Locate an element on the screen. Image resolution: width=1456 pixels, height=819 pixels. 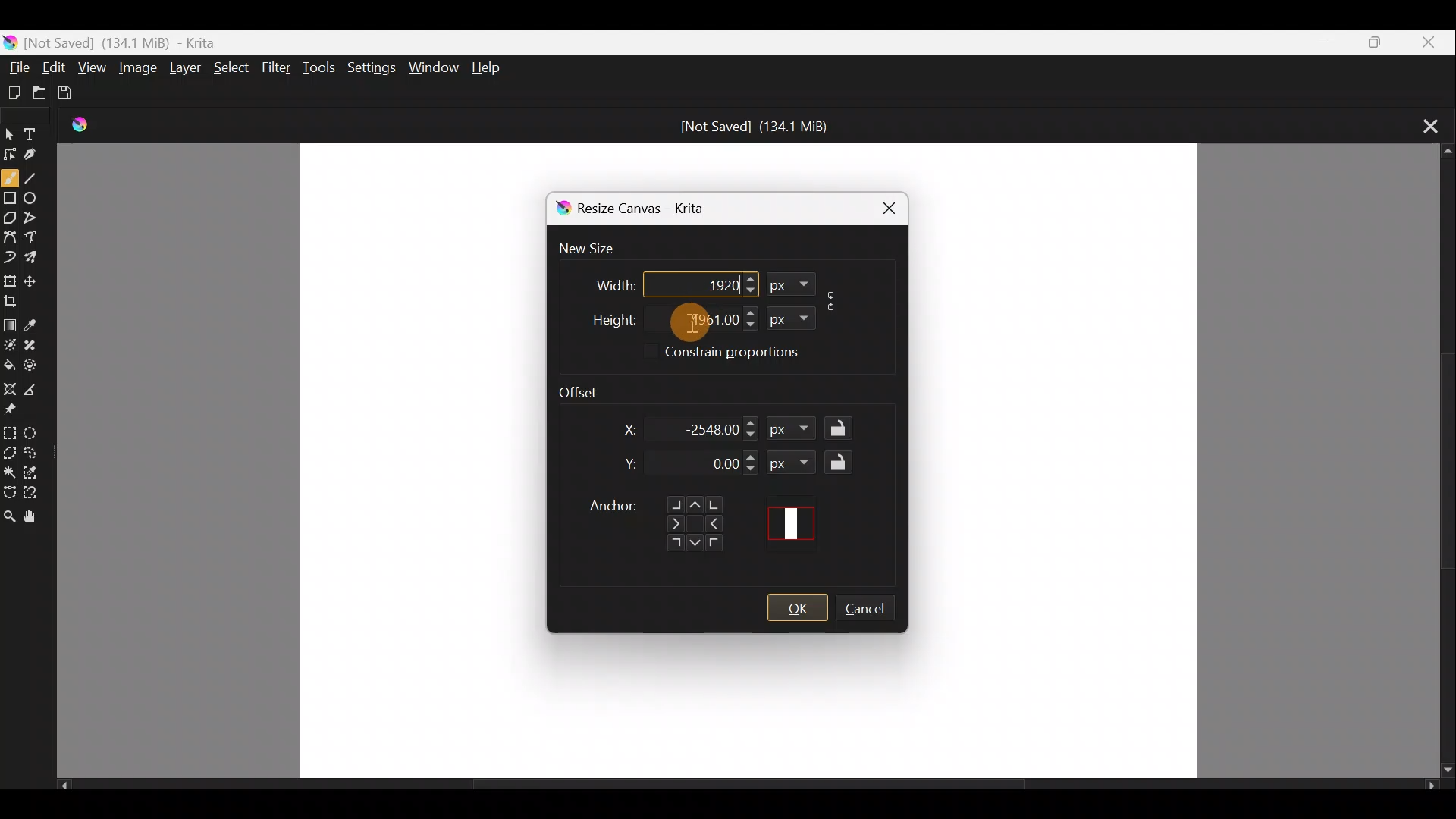
Polygonal section tool is located at coordinates (11, 454).